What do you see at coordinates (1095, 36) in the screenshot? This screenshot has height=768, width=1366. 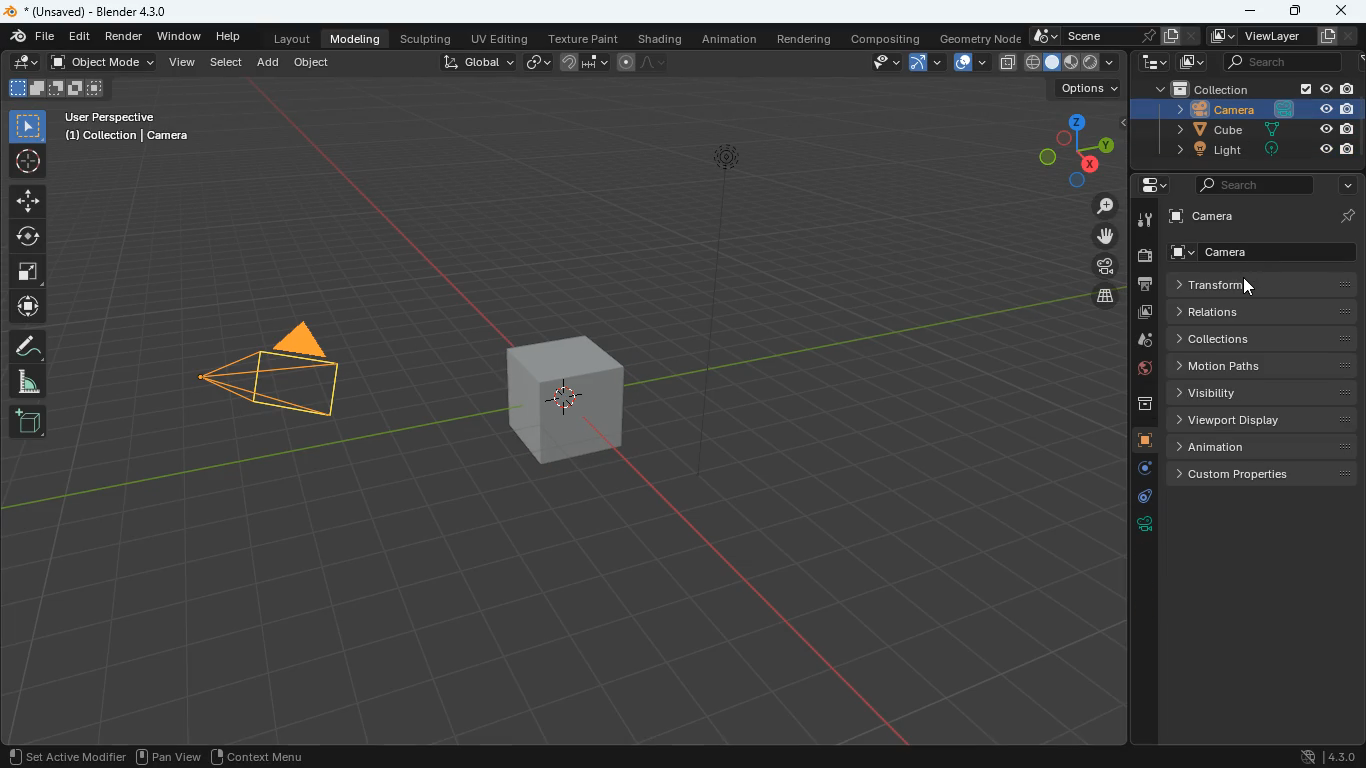 I see `scene` at bounding box center [1095, 36].